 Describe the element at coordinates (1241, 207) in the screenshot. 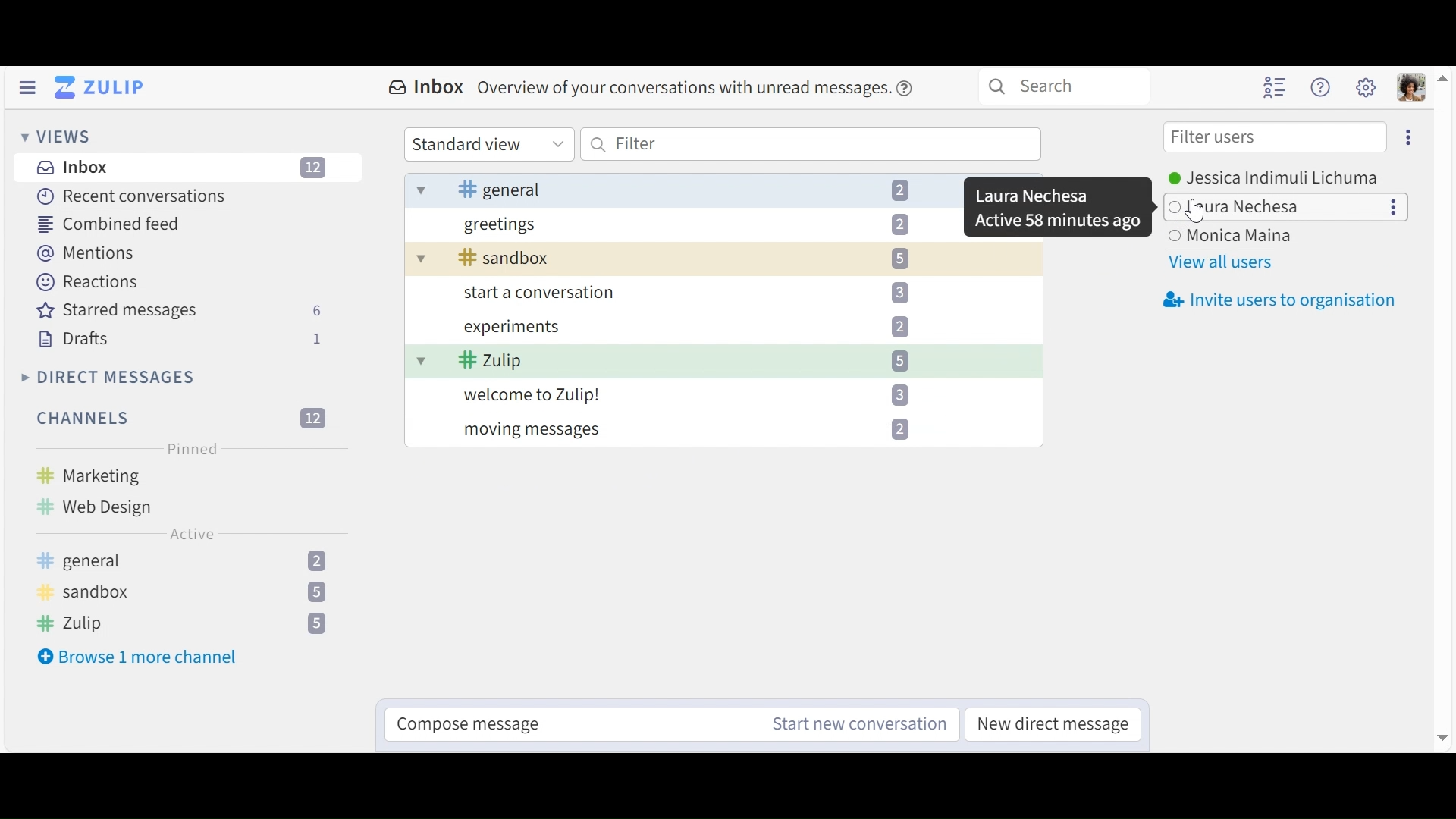

I see `user2` at that location.